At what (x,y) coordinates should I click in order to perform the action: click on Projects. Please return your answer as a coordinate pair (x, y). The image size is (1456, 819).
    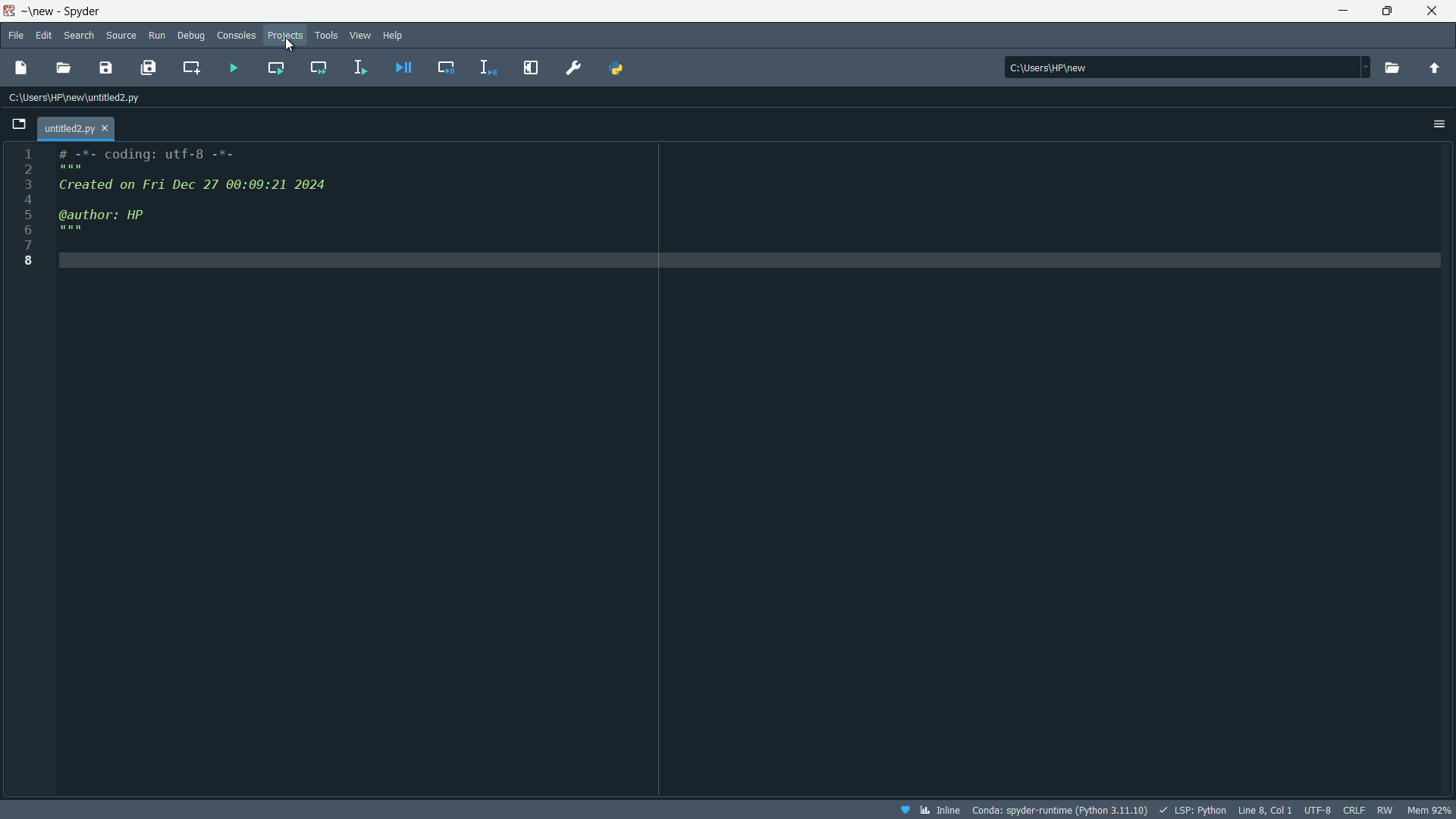
    Looking at the image, I should click on (285, 34).